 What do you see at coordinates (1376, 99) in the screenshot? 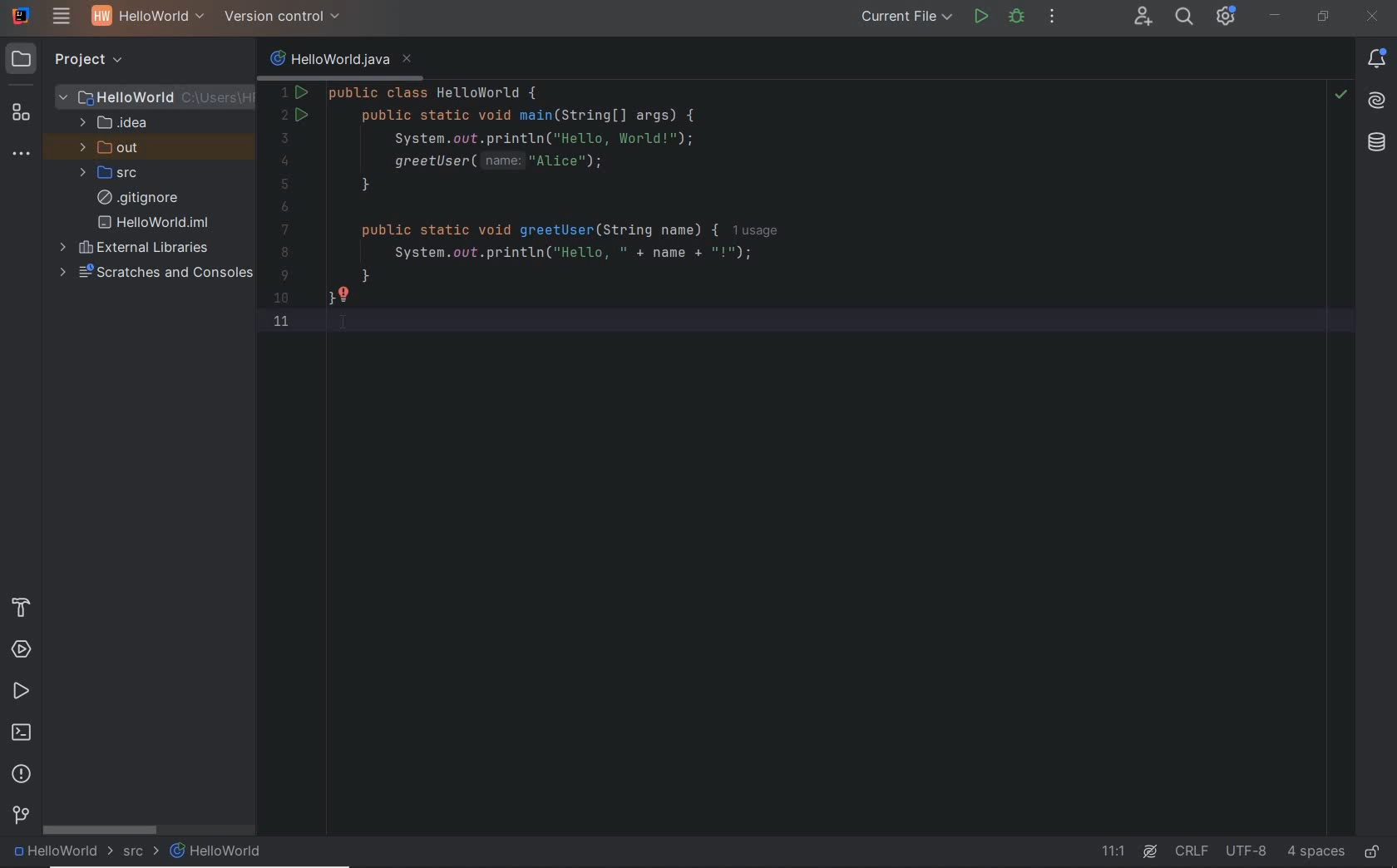
I see `AI Assistant` at bounding box center [1376, 99].